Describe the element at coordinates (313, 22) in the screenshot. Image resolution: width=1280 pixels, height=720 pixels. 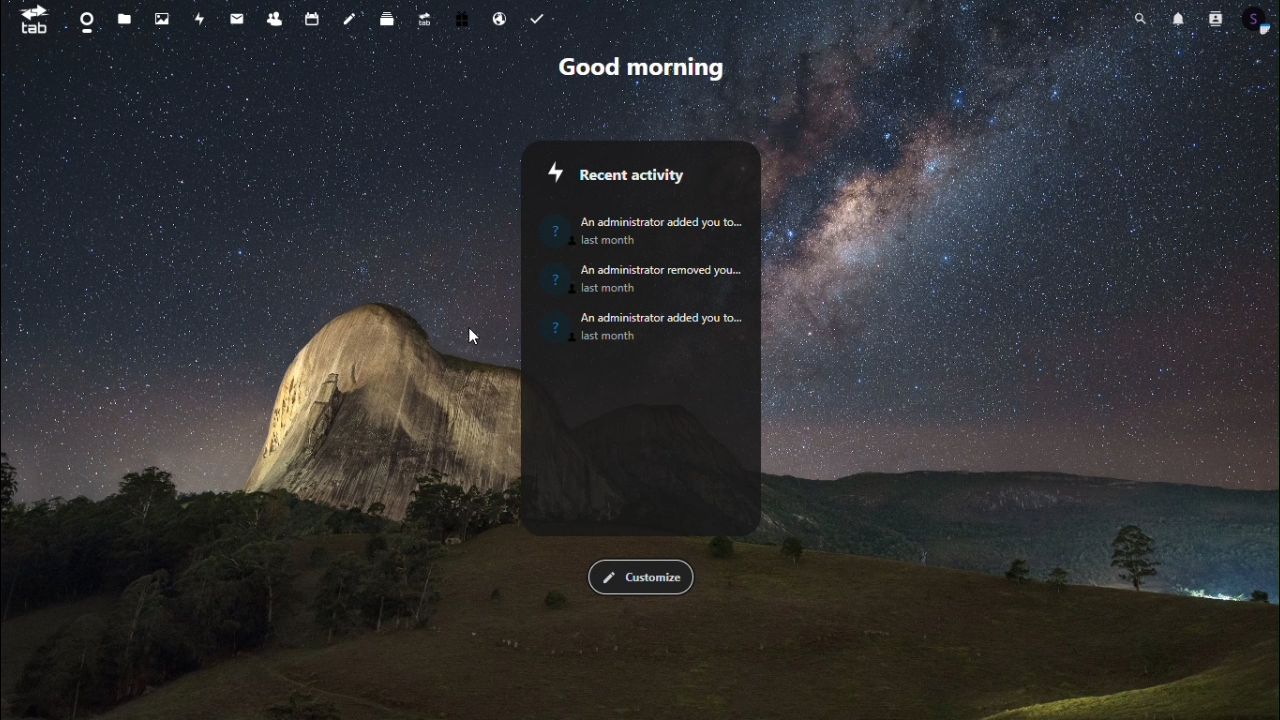
I see `calendar` at that location.